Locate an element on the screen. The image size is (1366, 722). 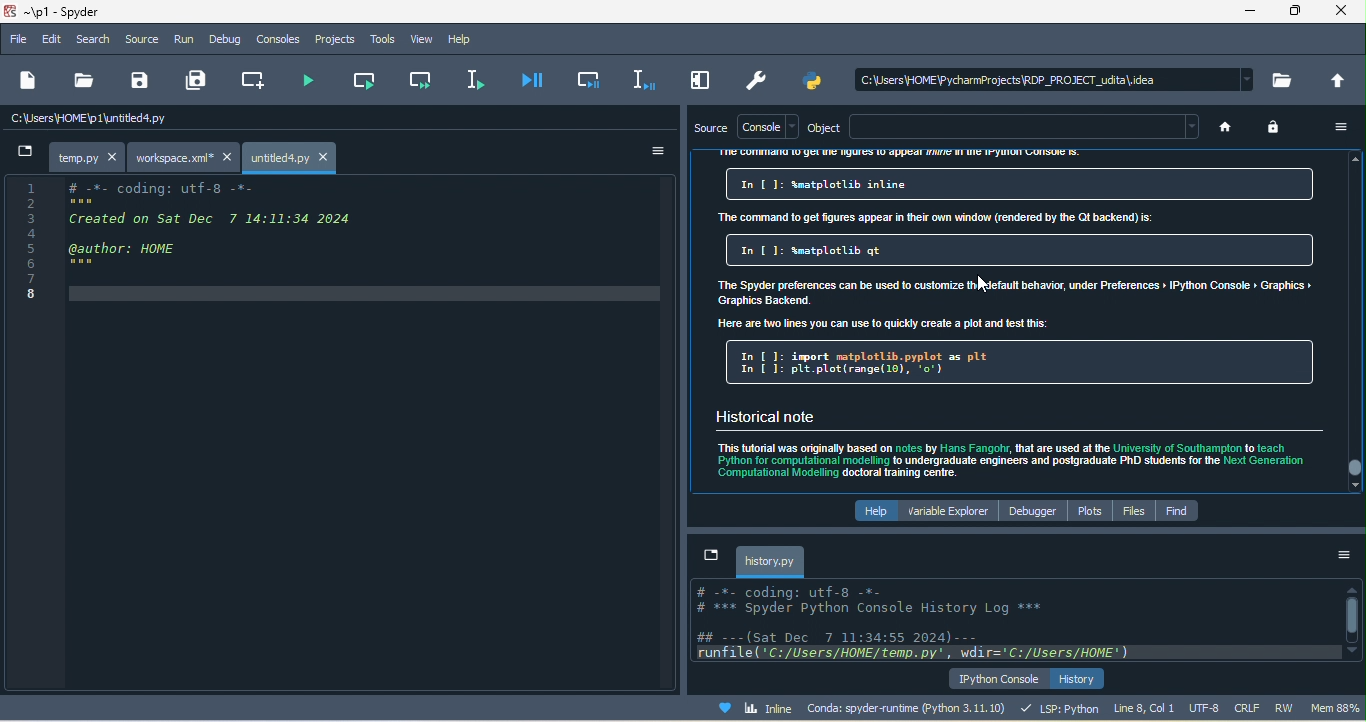
Browsed documentation topic in the "Help Viewer. is located at coordinates (1018, 322).